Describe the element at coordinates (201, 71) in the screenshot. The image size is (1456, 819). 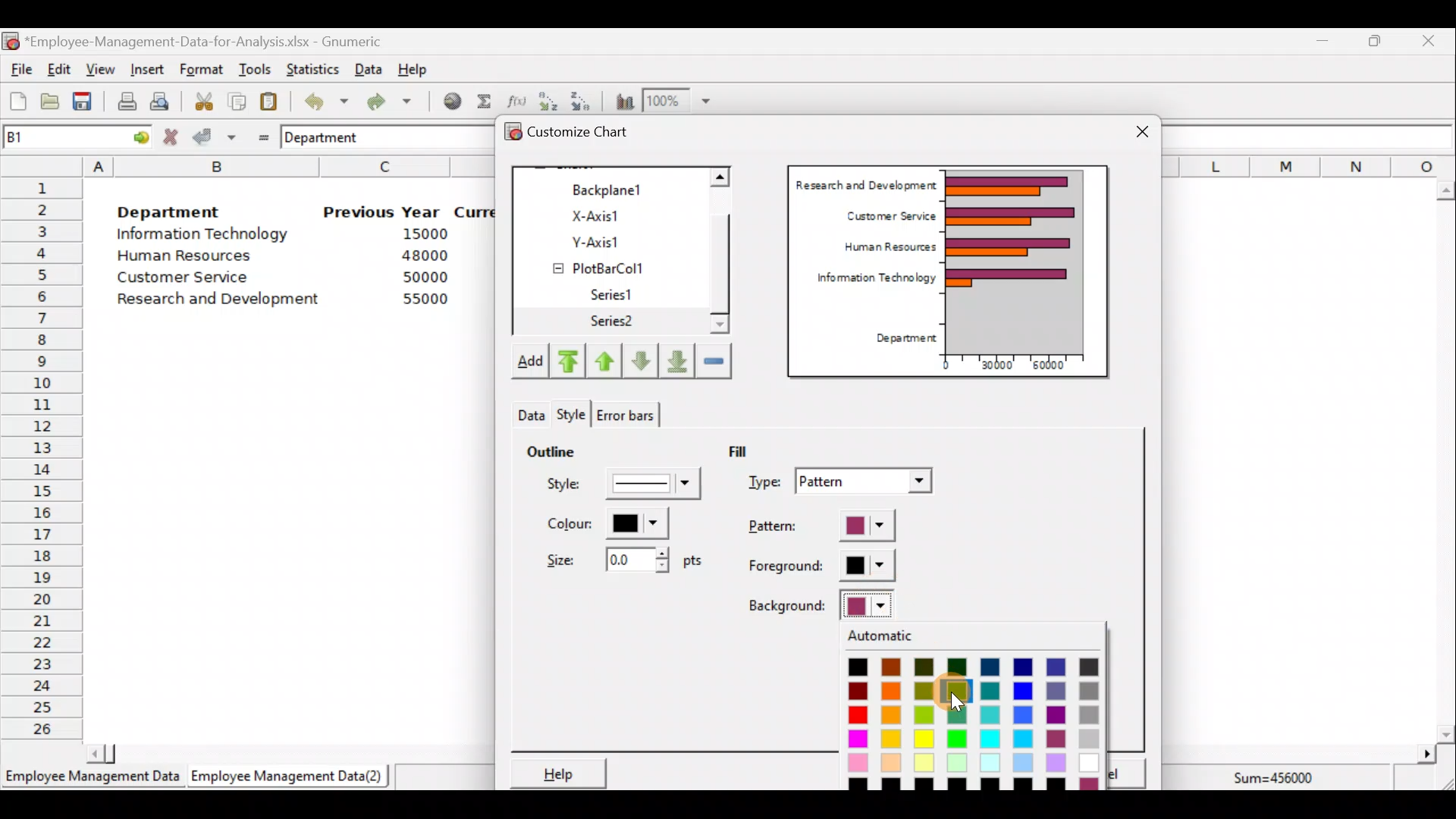
I see `Format` at that location.